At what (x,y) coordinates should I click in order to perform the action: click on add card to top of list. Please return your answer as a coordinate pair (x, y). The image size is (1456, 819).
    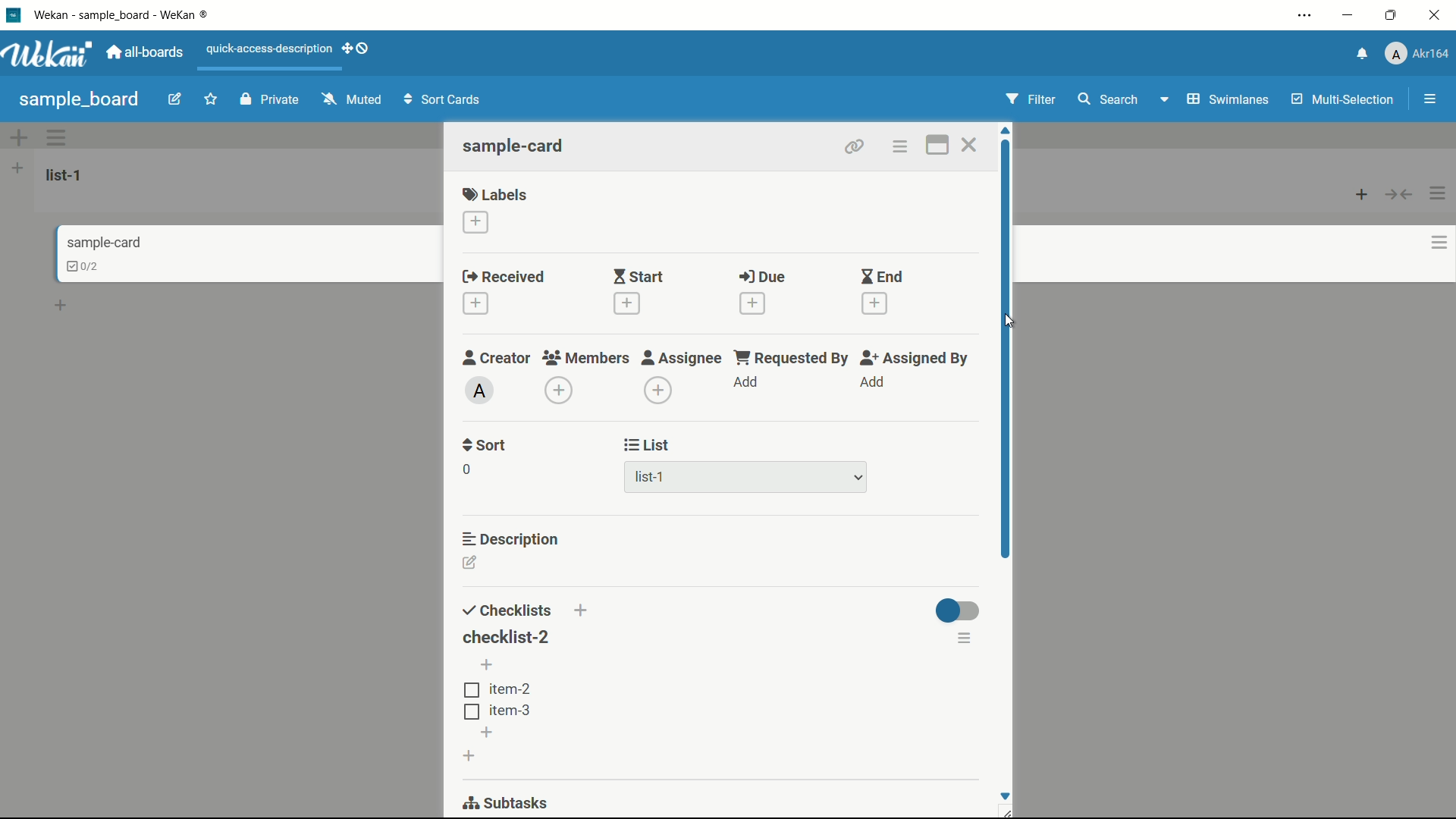
    Looking at the image, I should click on (1363, 196).